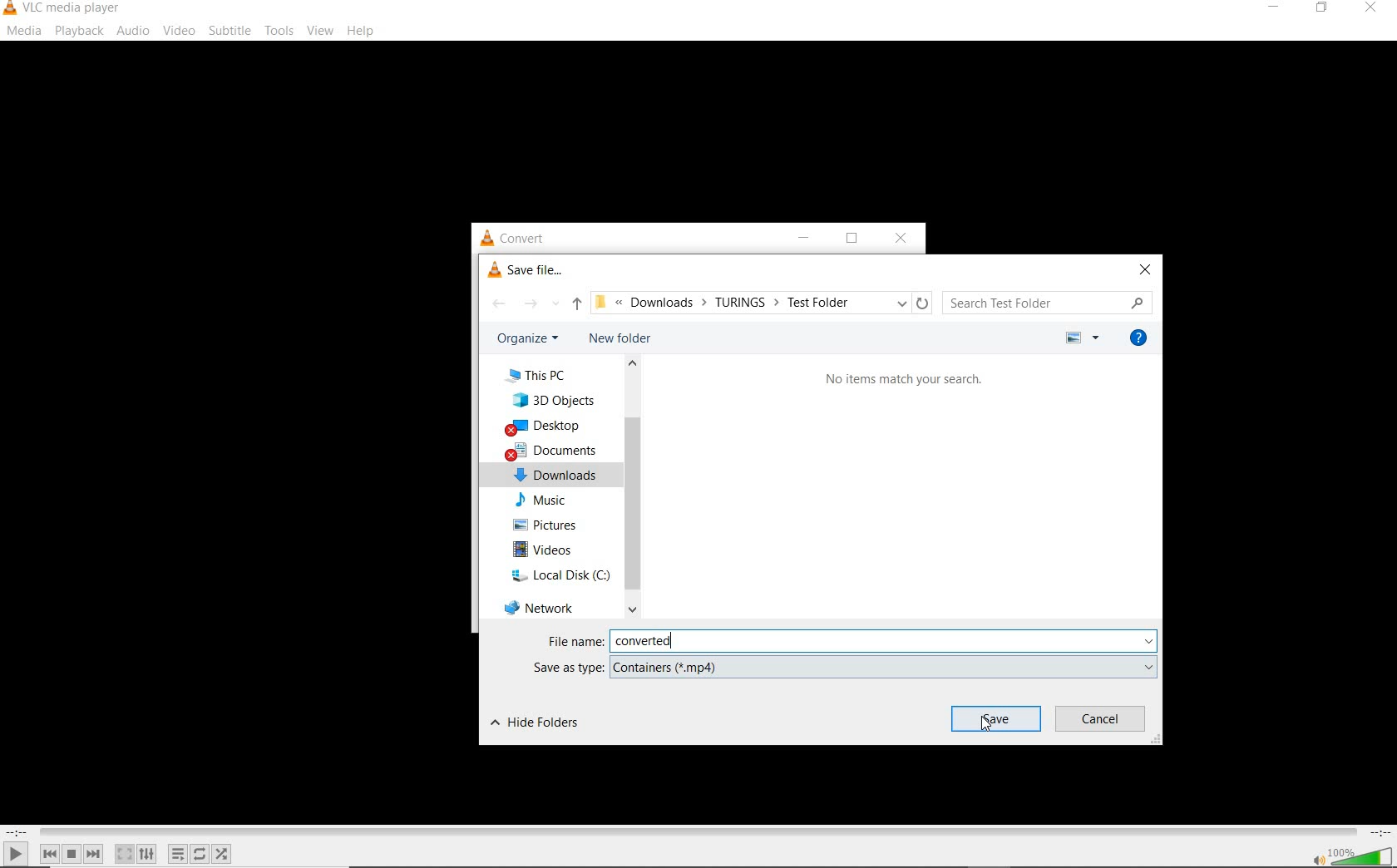  I want to click on toggle playlist, so click(178, 854).